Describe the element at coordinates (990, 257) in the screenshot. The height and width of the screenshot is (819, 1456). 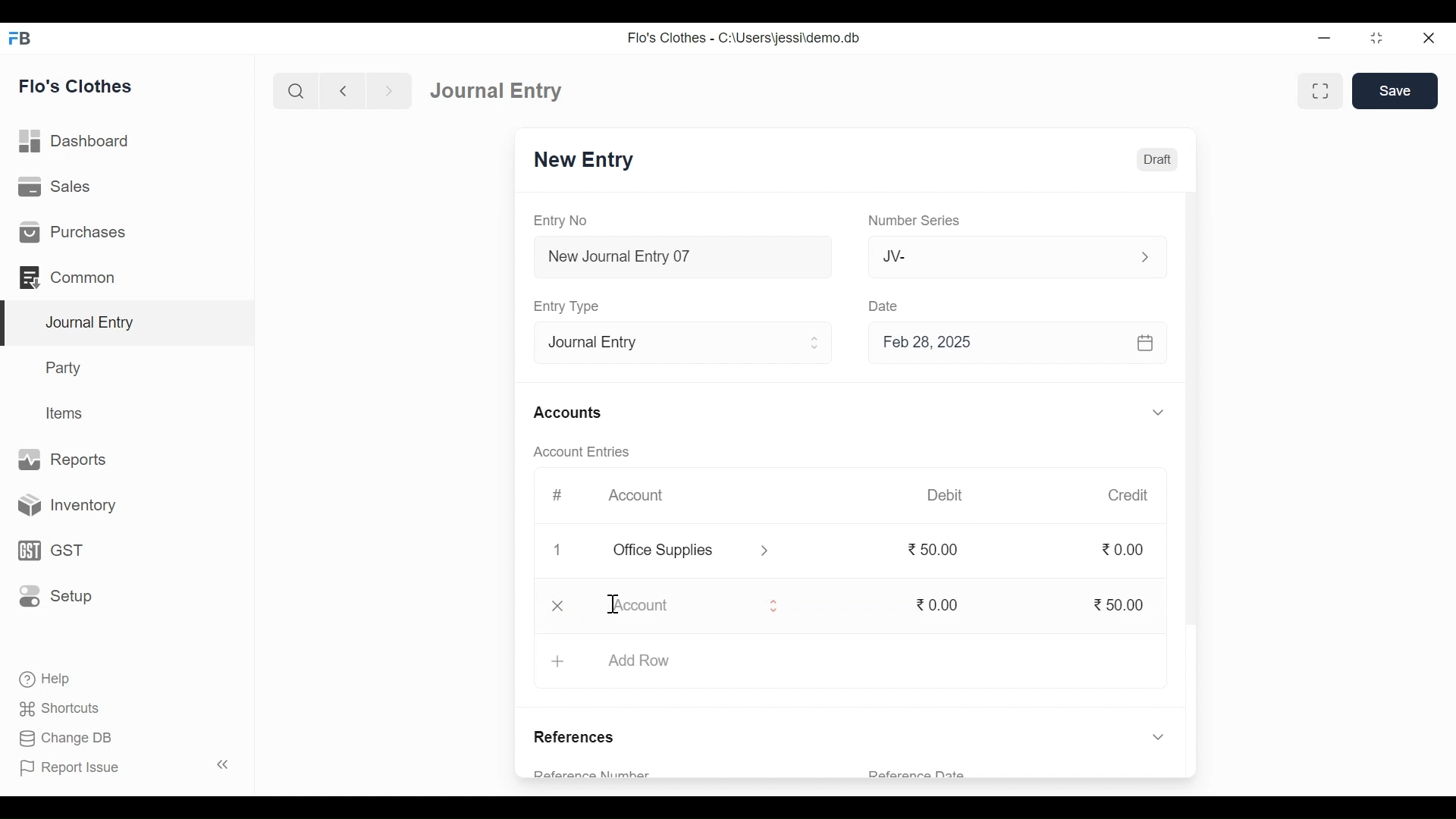
I see `JV-` at that location.